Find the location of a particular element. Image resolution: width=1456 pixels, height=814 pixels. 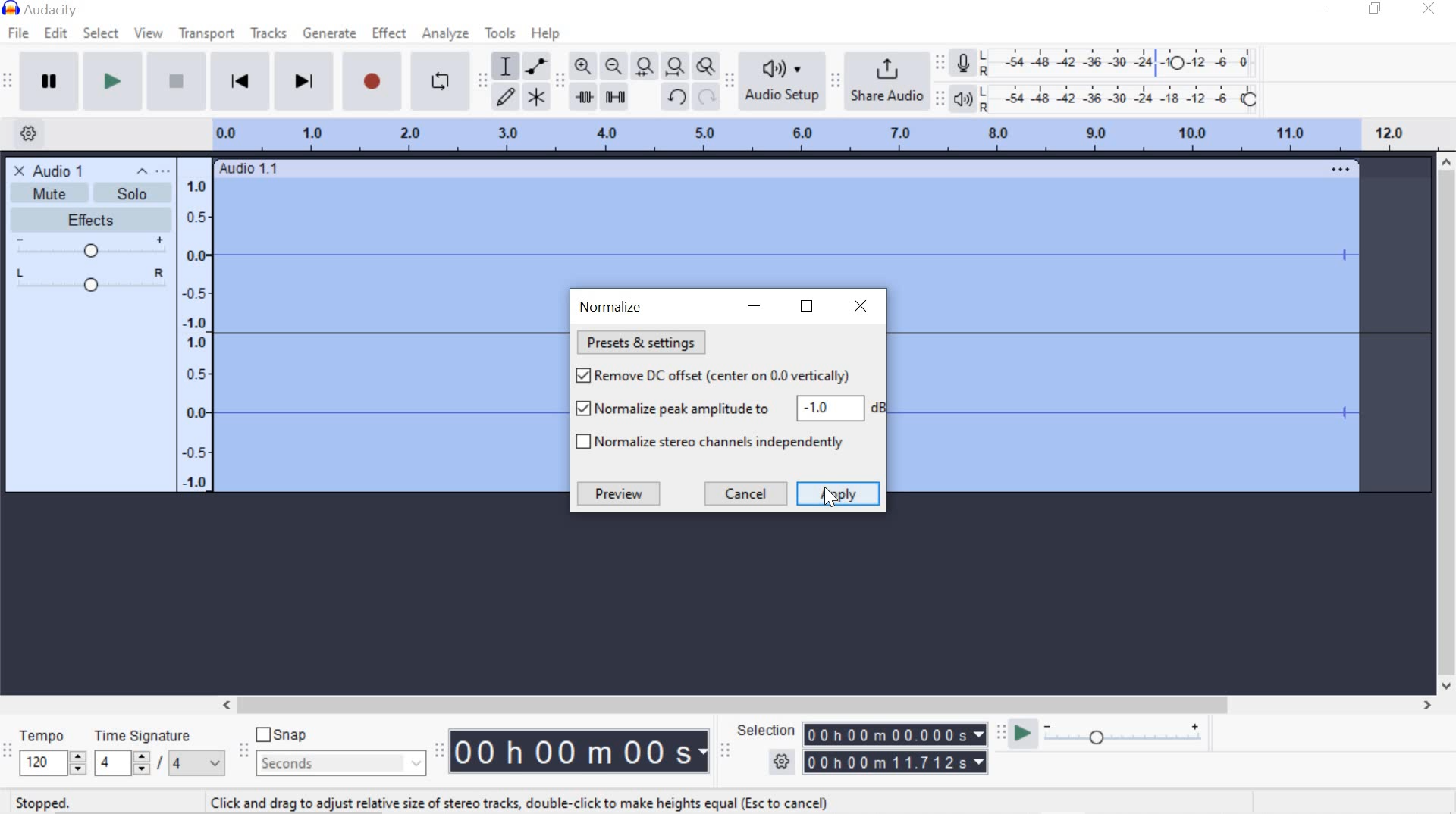

Normalize peak amplitude is located at coordinates (728, 409).